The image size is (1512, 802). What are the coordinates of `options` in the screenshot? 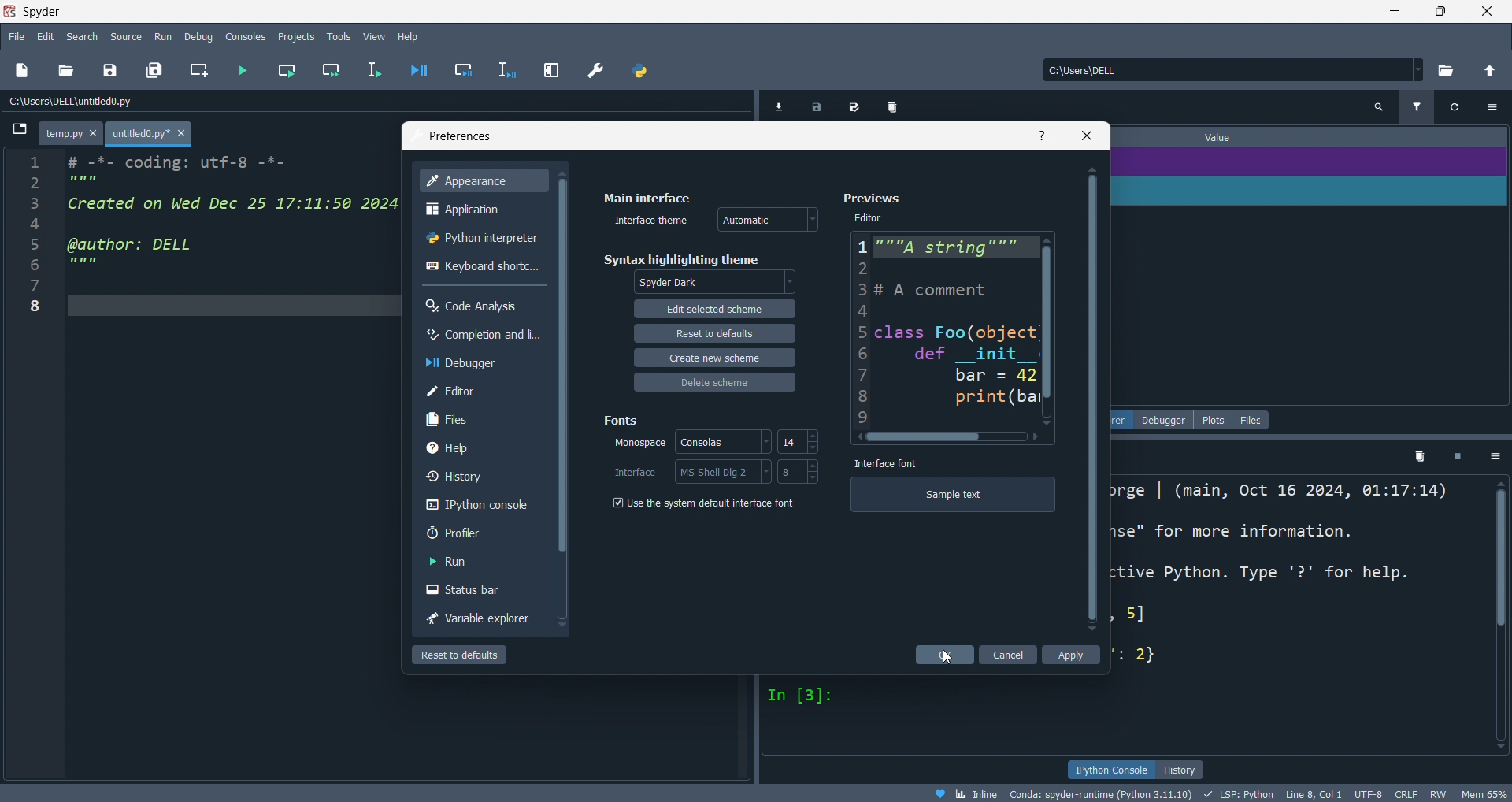 It's located at (1497, 456).